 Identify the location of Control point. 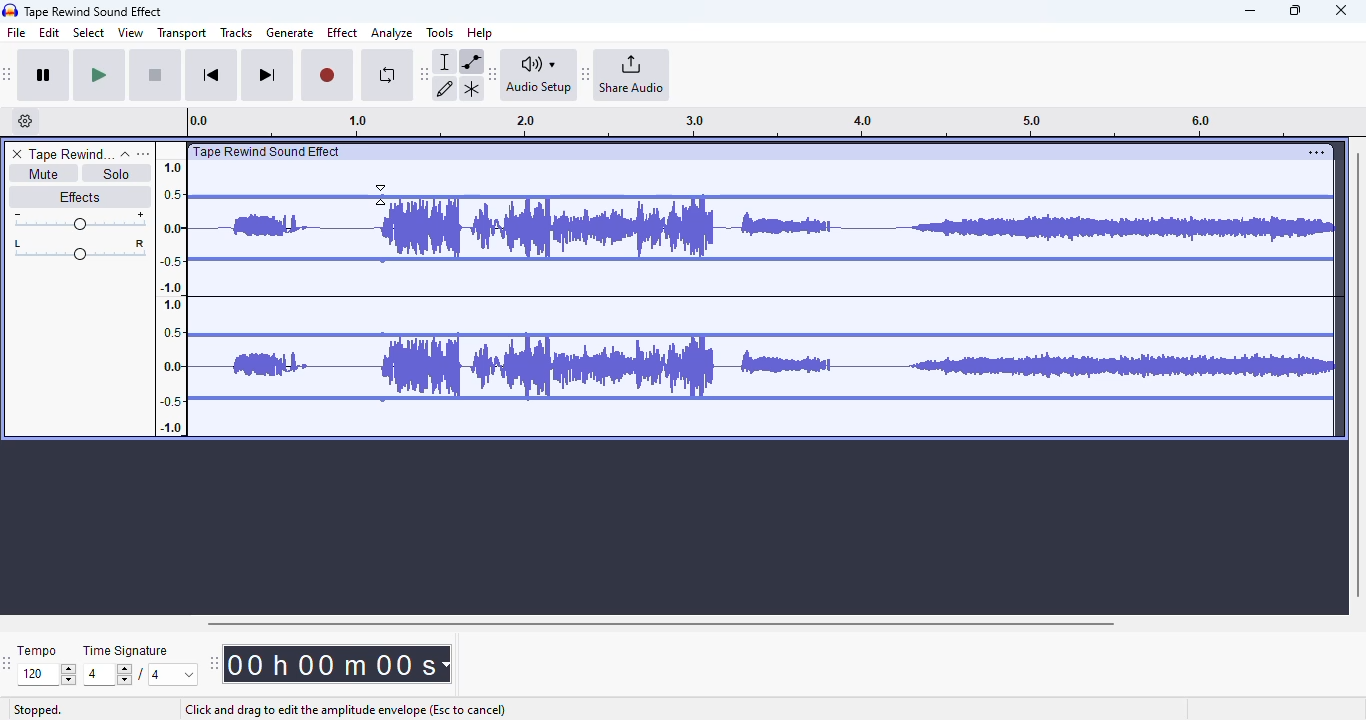
(382, 260).